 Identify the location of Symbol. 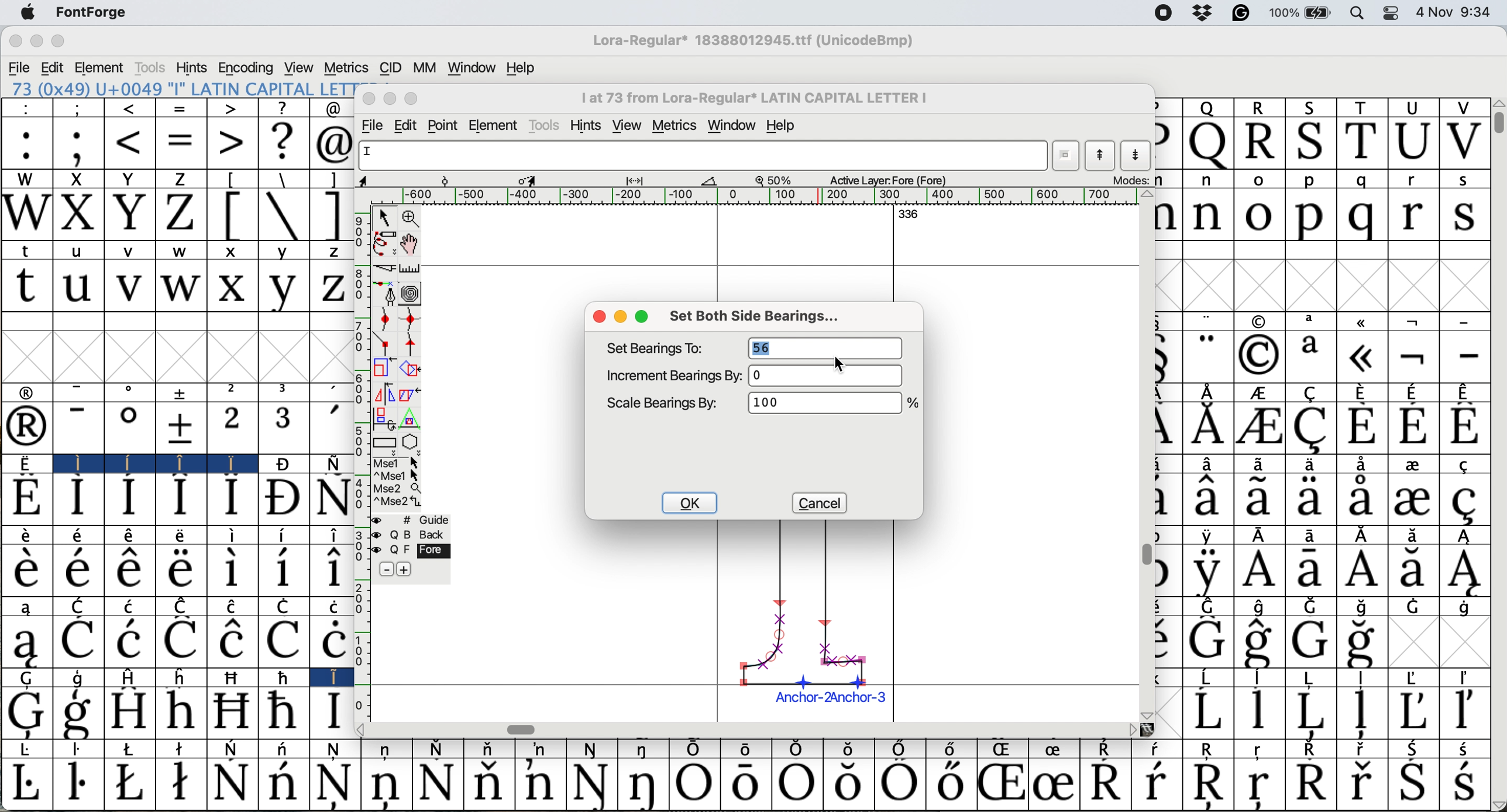
(235, 605).